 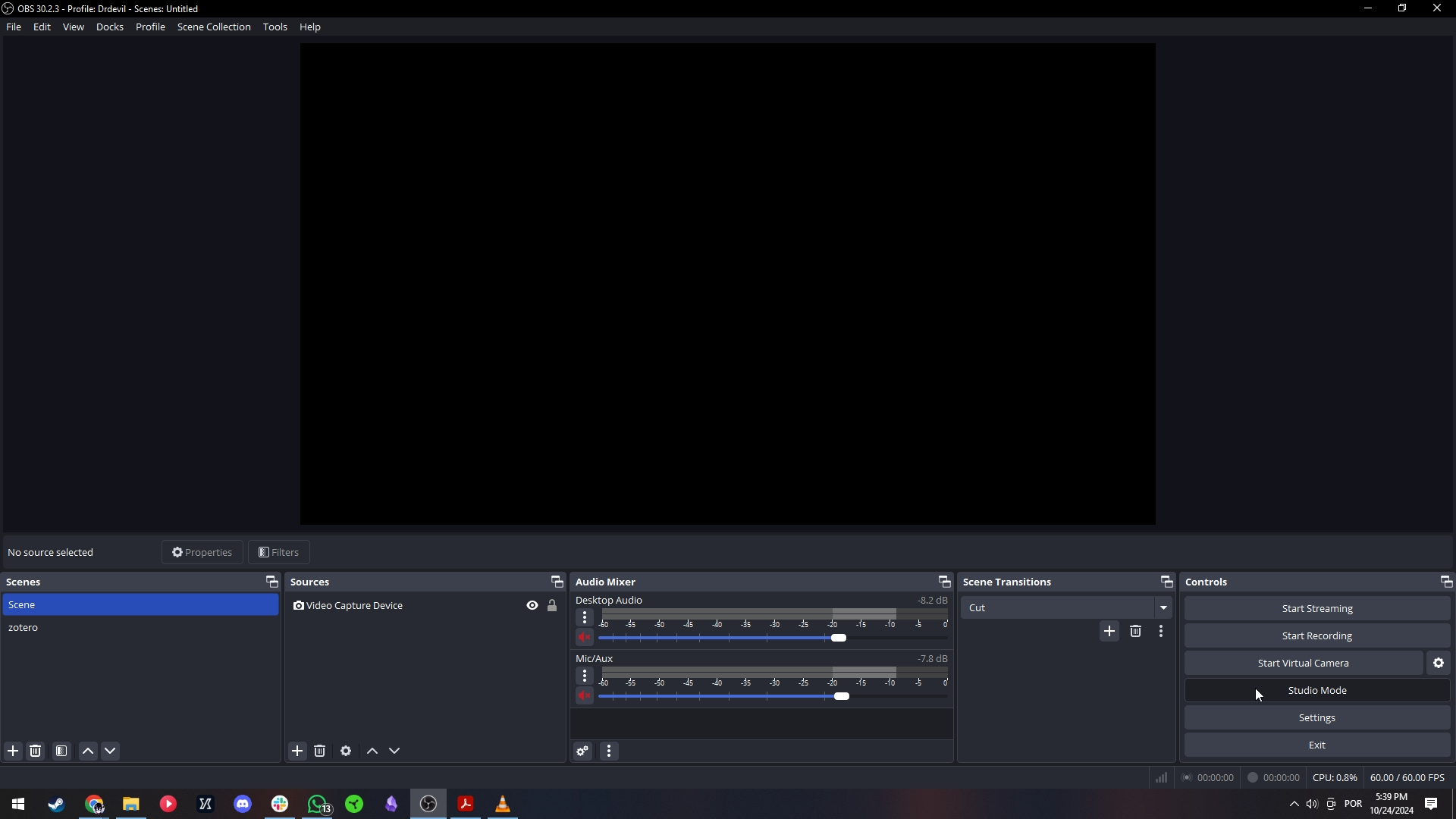 What do you see at coordinates (1210, 777) in the screenshot?
I see `Streaming runtime` at bounding box center [1210, 777].